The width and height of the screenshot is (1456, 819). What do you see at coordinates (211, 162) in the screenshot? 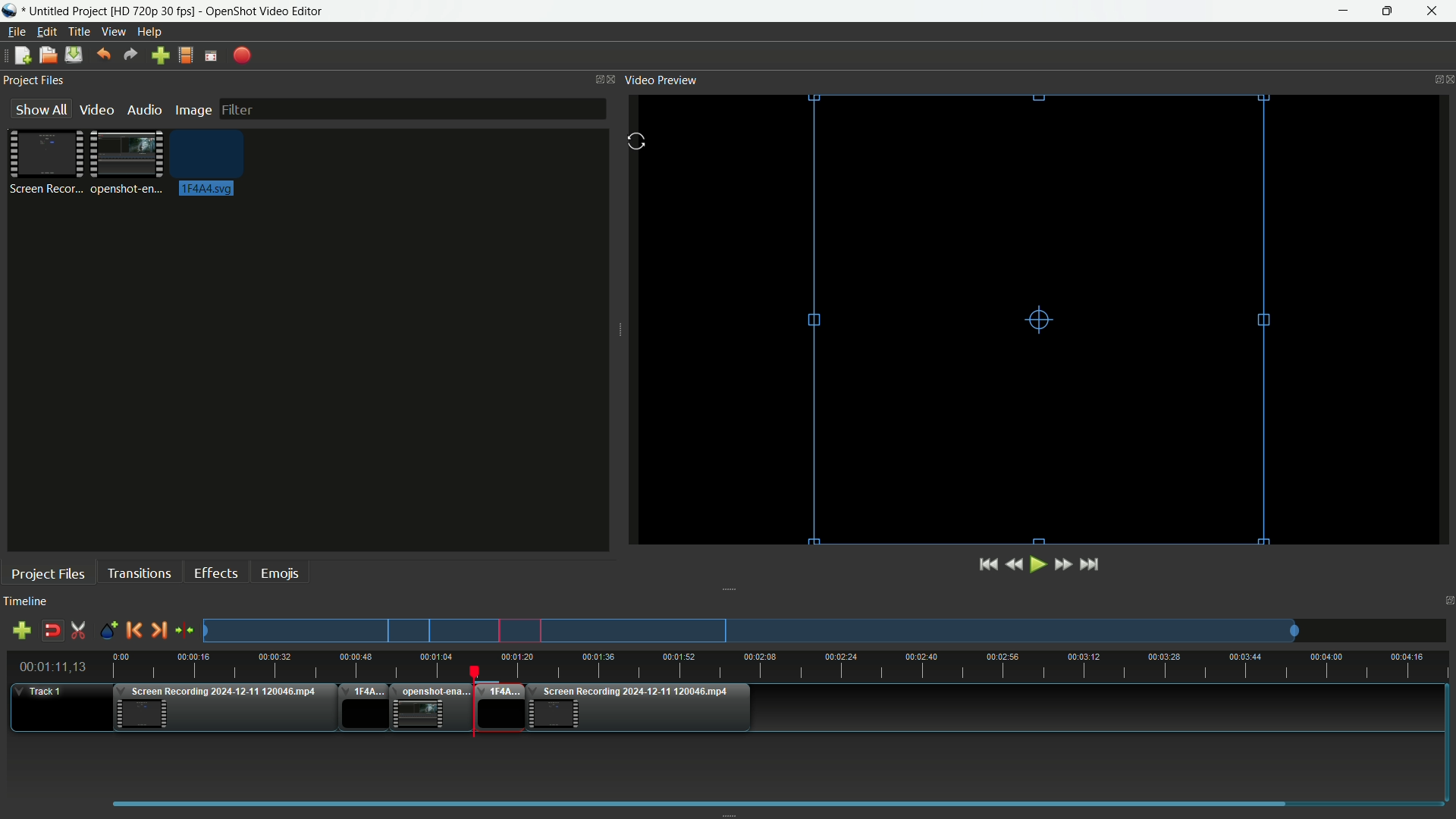
I see `Image for placeholder` at bounding box center [211, 162].